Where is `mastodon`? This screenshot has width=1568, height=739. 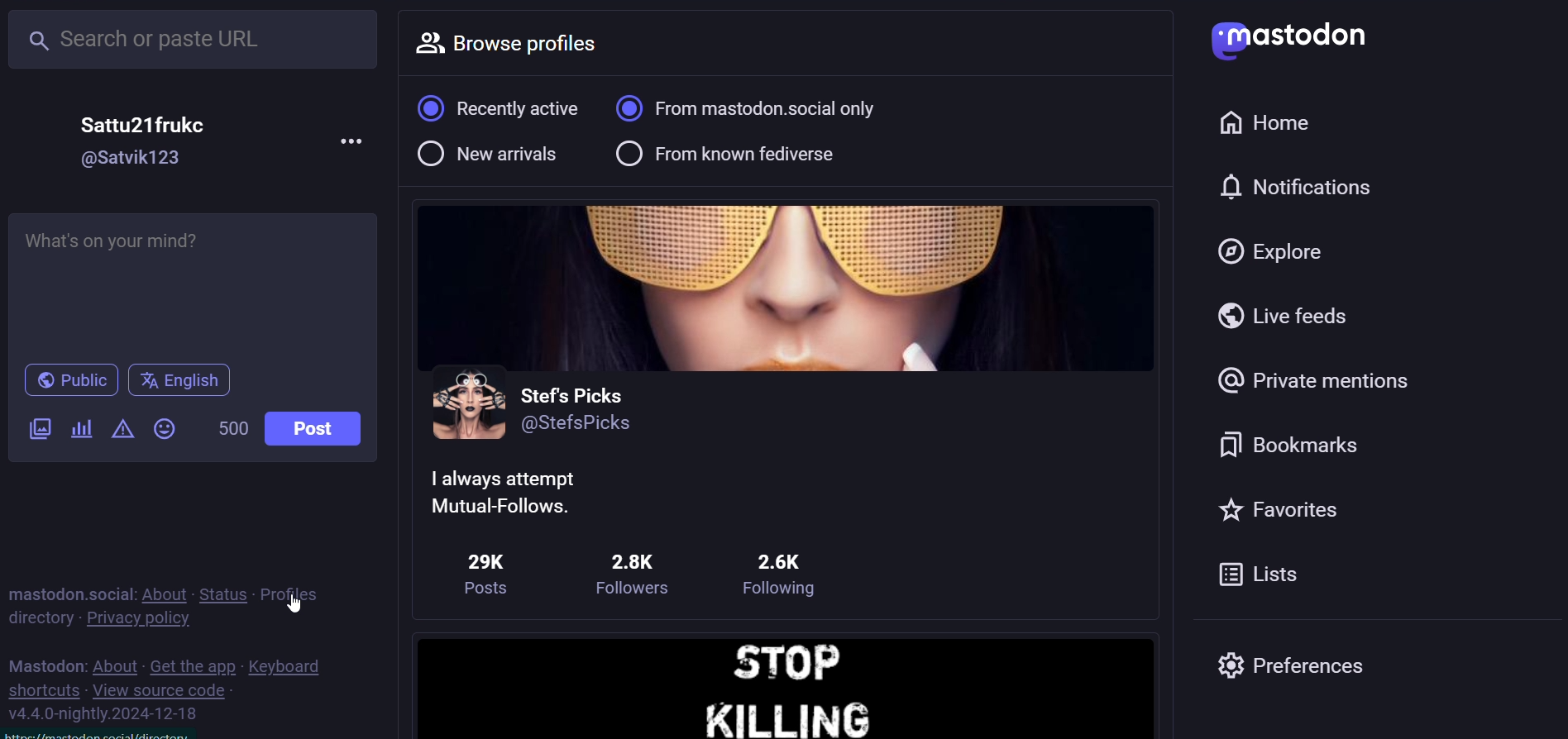 mastodon is located at coordinates (45, 664).